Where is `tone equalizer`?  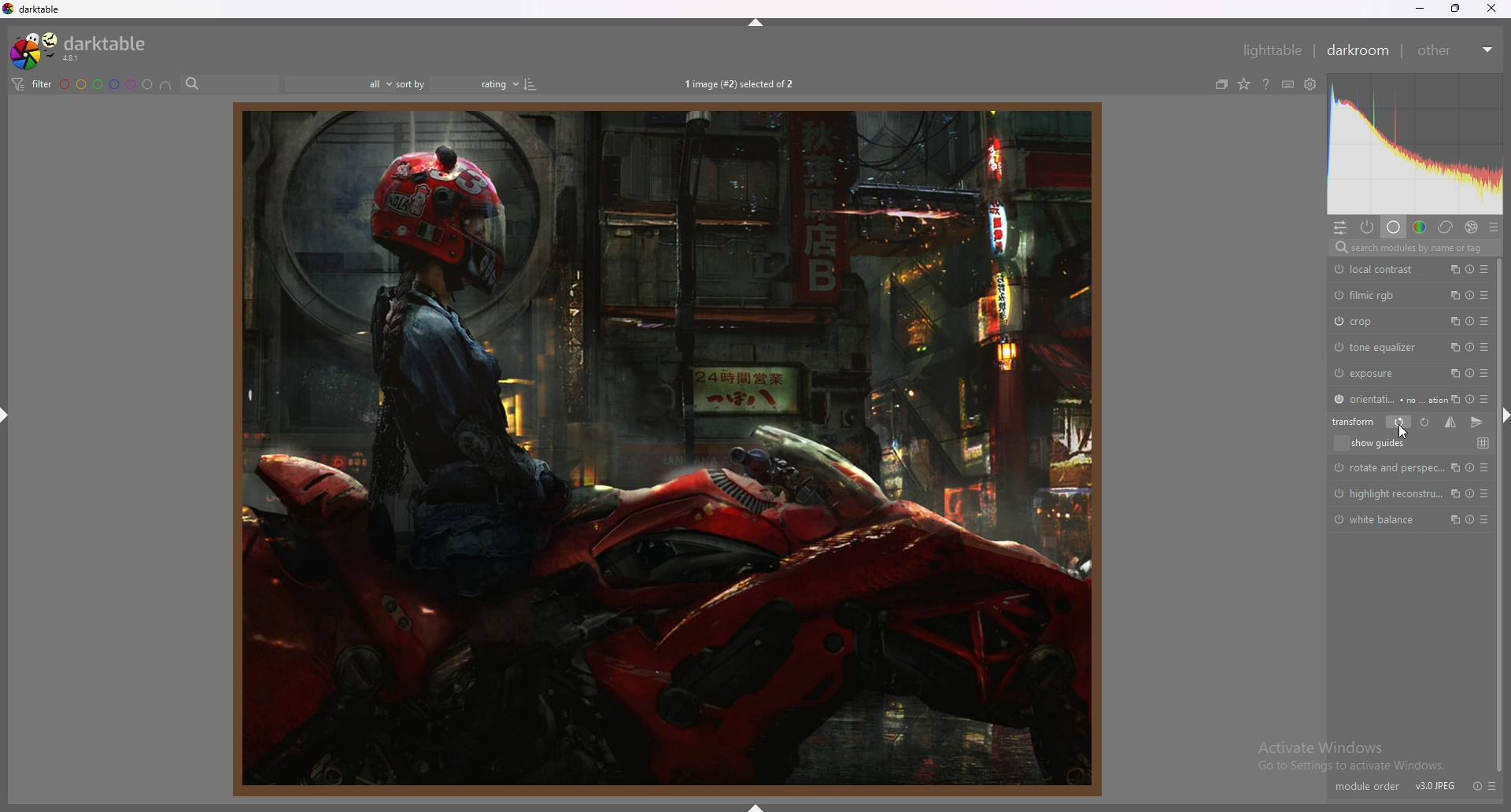 tone equalizer is located at coordinates (1378, 346).